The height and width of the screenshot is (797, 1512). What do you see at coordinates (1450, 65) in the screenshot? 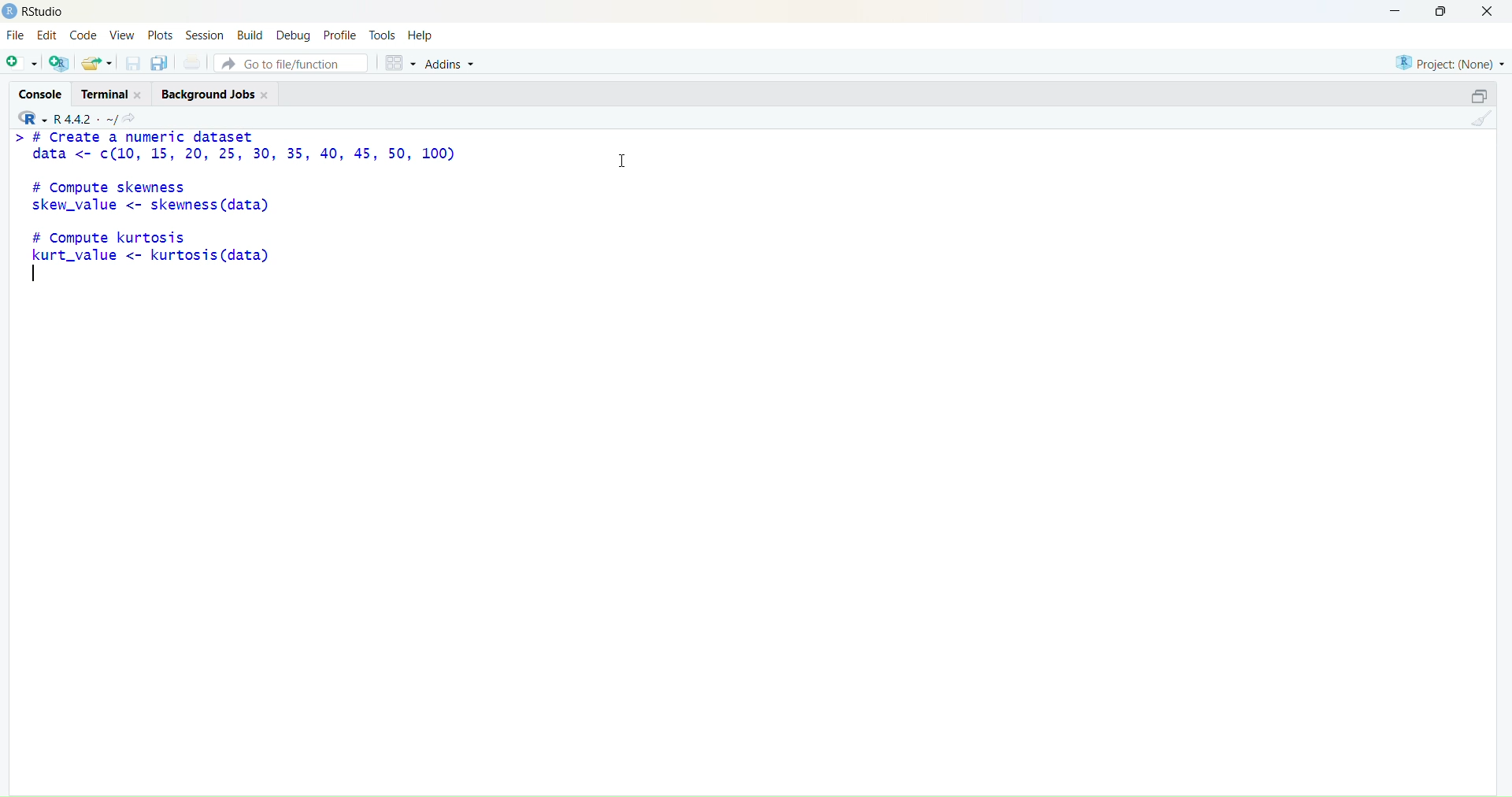
I see `Project (None)` at bounding box center [1450, 65].